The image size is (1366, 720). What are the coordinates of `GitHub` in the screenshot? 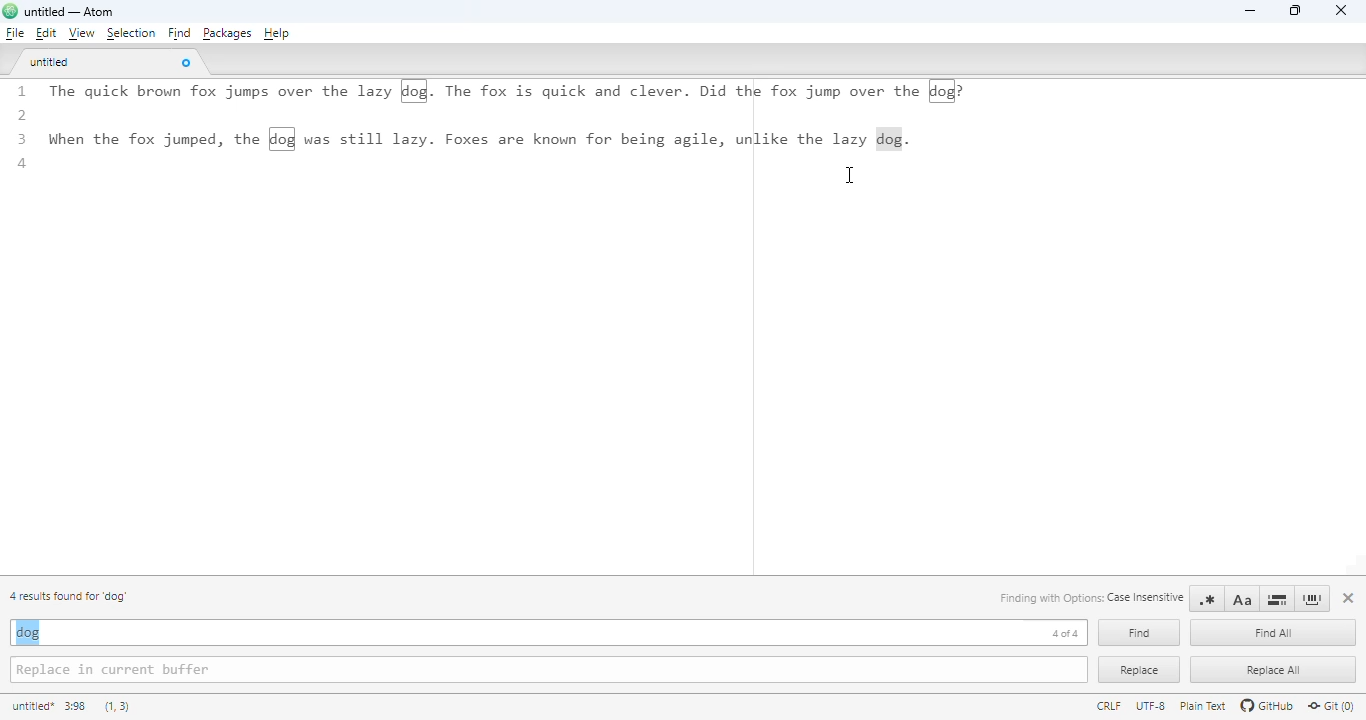 It's located at (1267, 707).